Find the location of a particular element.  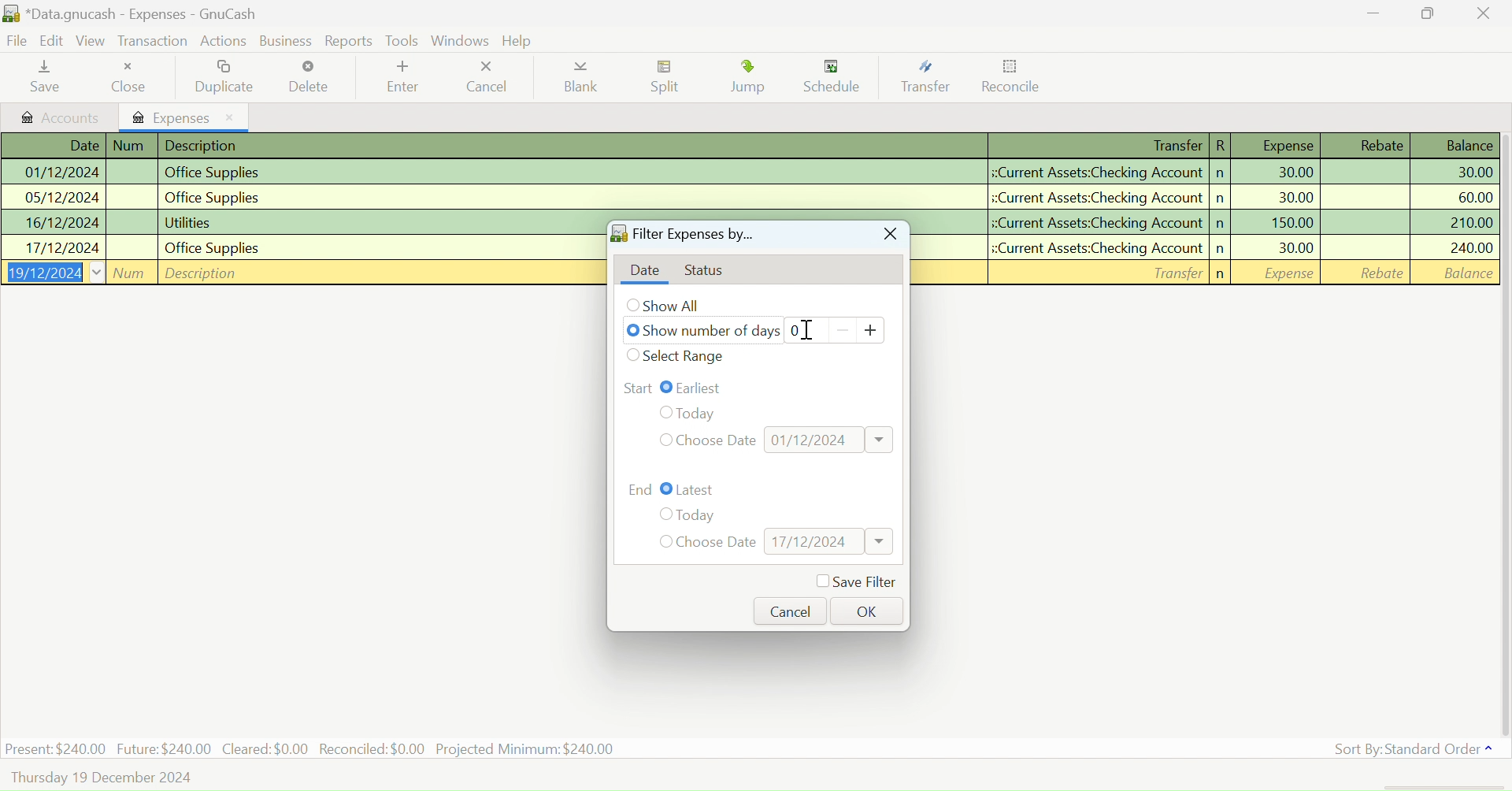

Reports is located at coordinates (350, 41).